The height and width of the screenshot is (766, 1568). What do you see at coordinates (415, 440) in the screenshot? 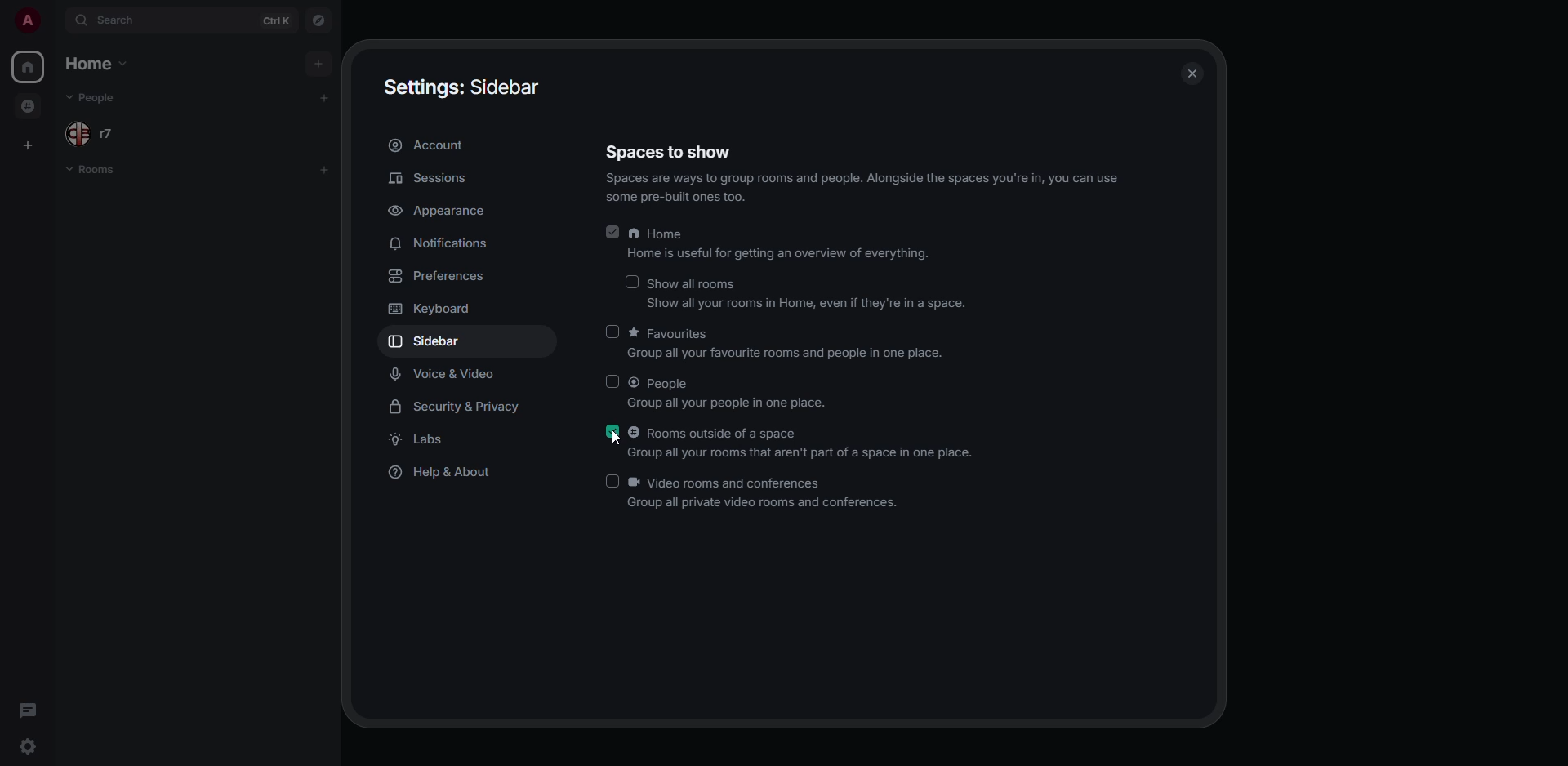
I see `labs` at bounding box center [415, 440].